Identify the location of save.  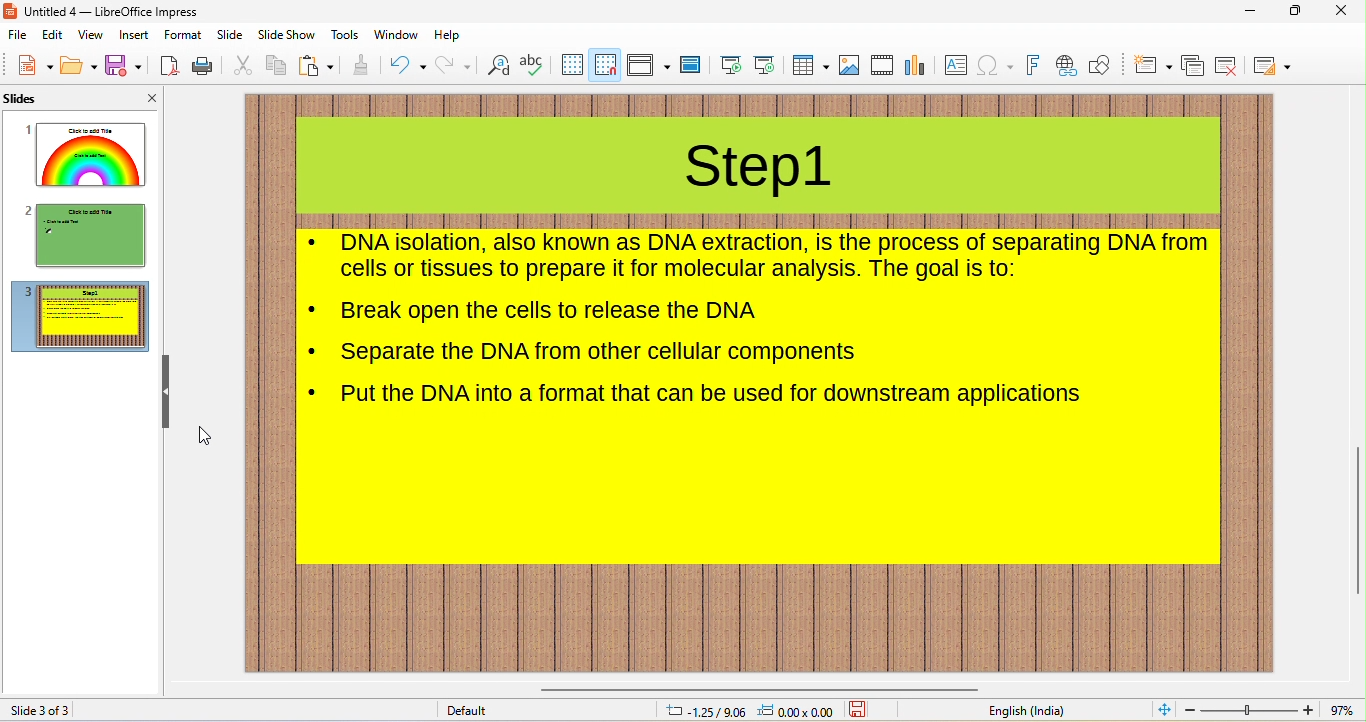
(125, 64).